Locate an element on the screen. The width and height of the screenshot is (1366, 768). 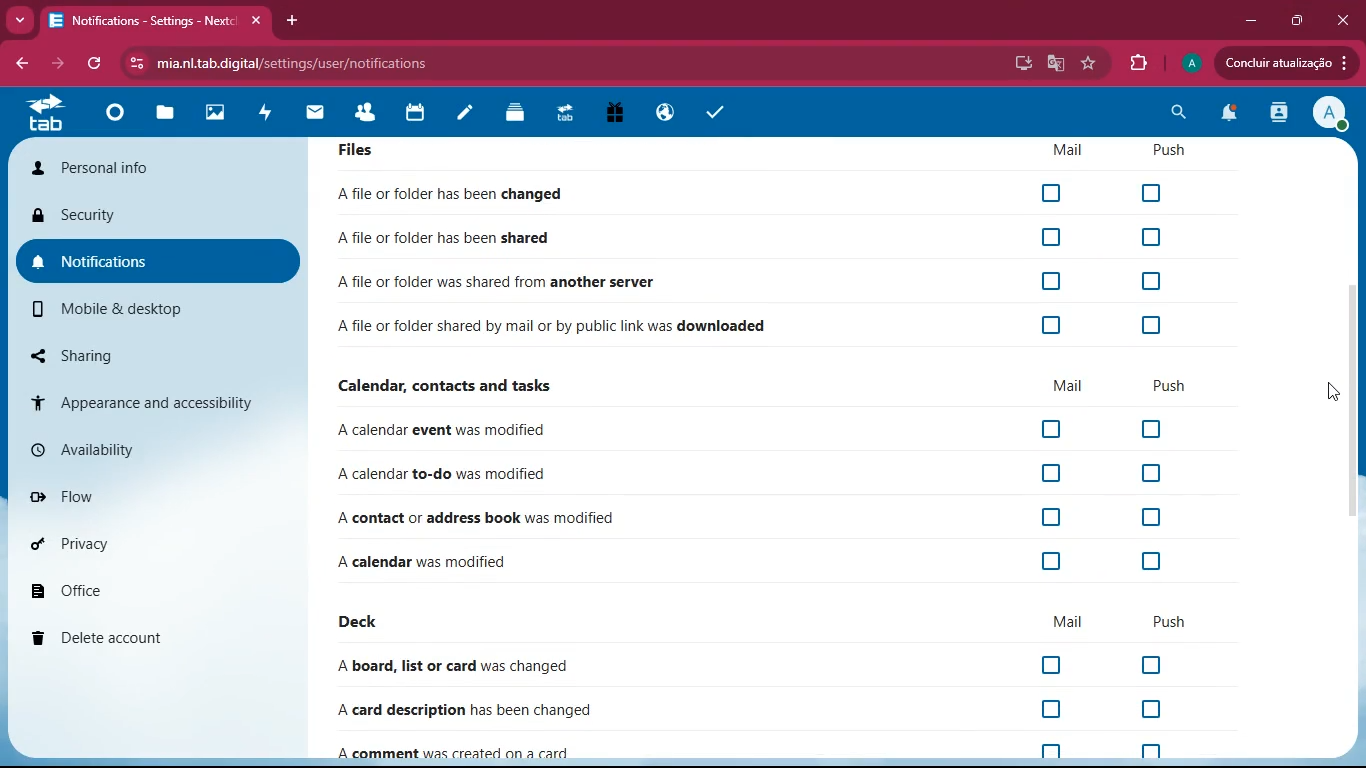
mail is located at coordinates (322, 115).